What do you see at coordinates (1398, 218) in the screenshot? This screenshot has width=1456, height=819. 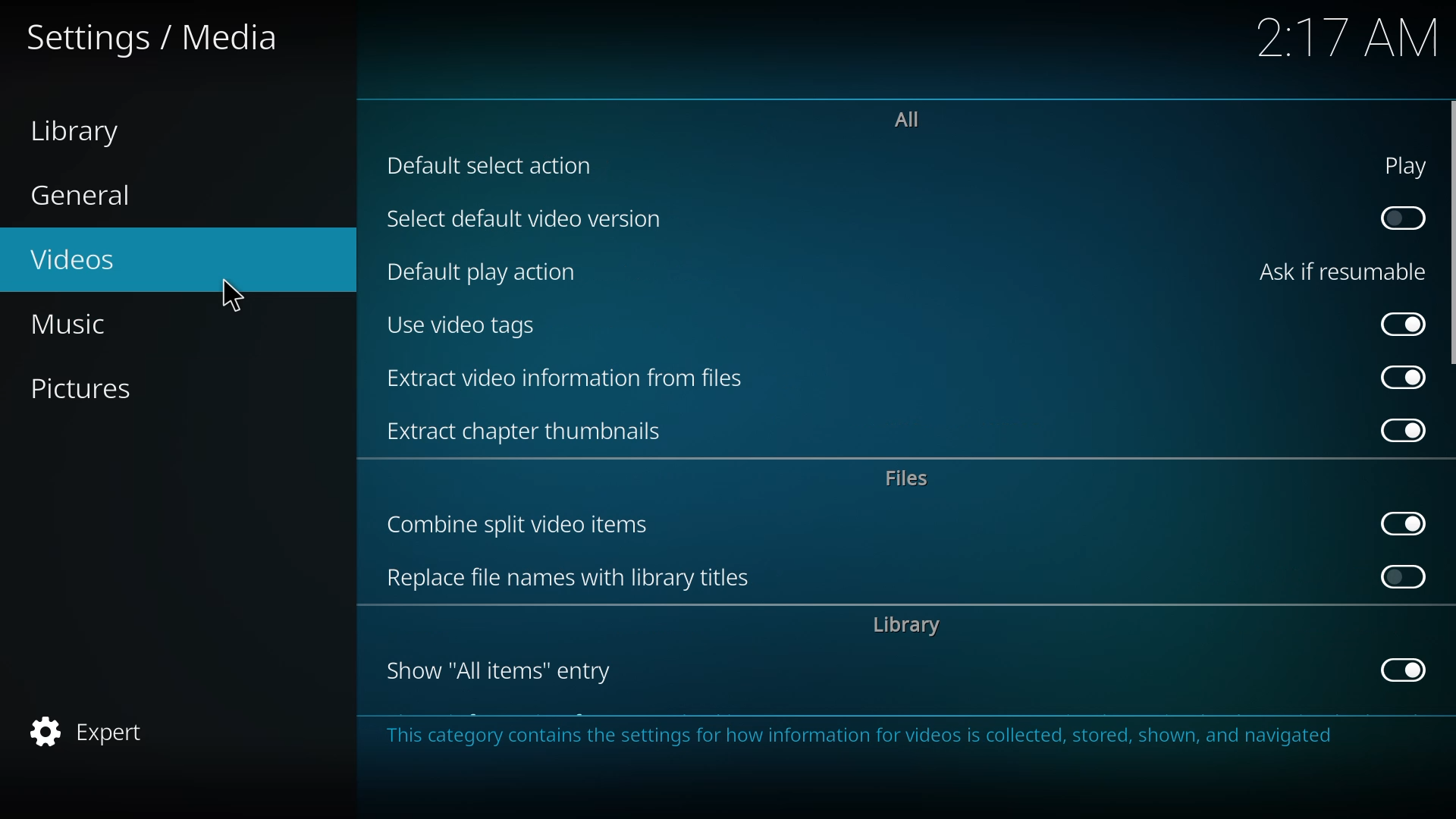 I see `click to enable` at bounding box center [1398, 218].